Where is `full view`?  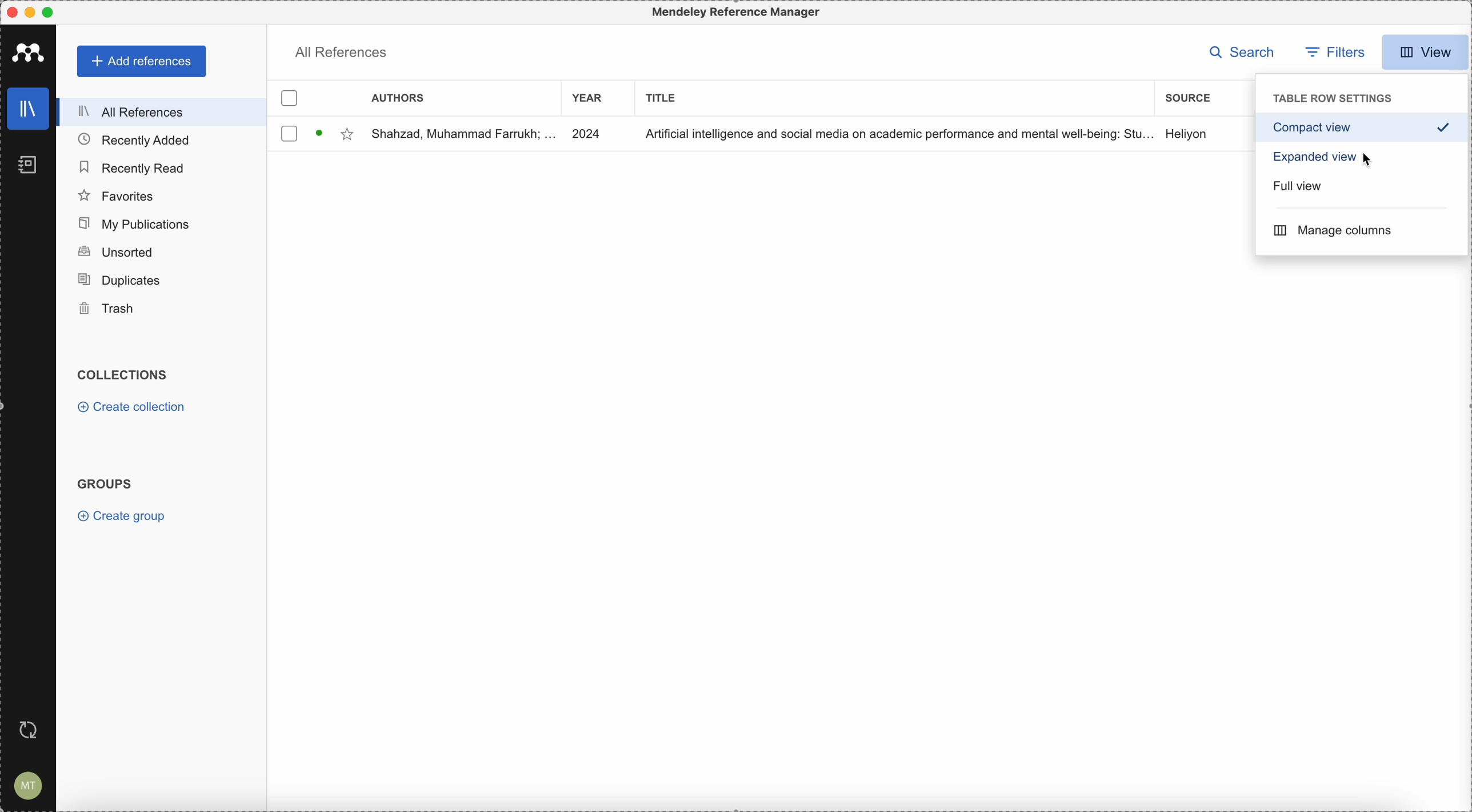
full view is located at coordinates (1295, 189).